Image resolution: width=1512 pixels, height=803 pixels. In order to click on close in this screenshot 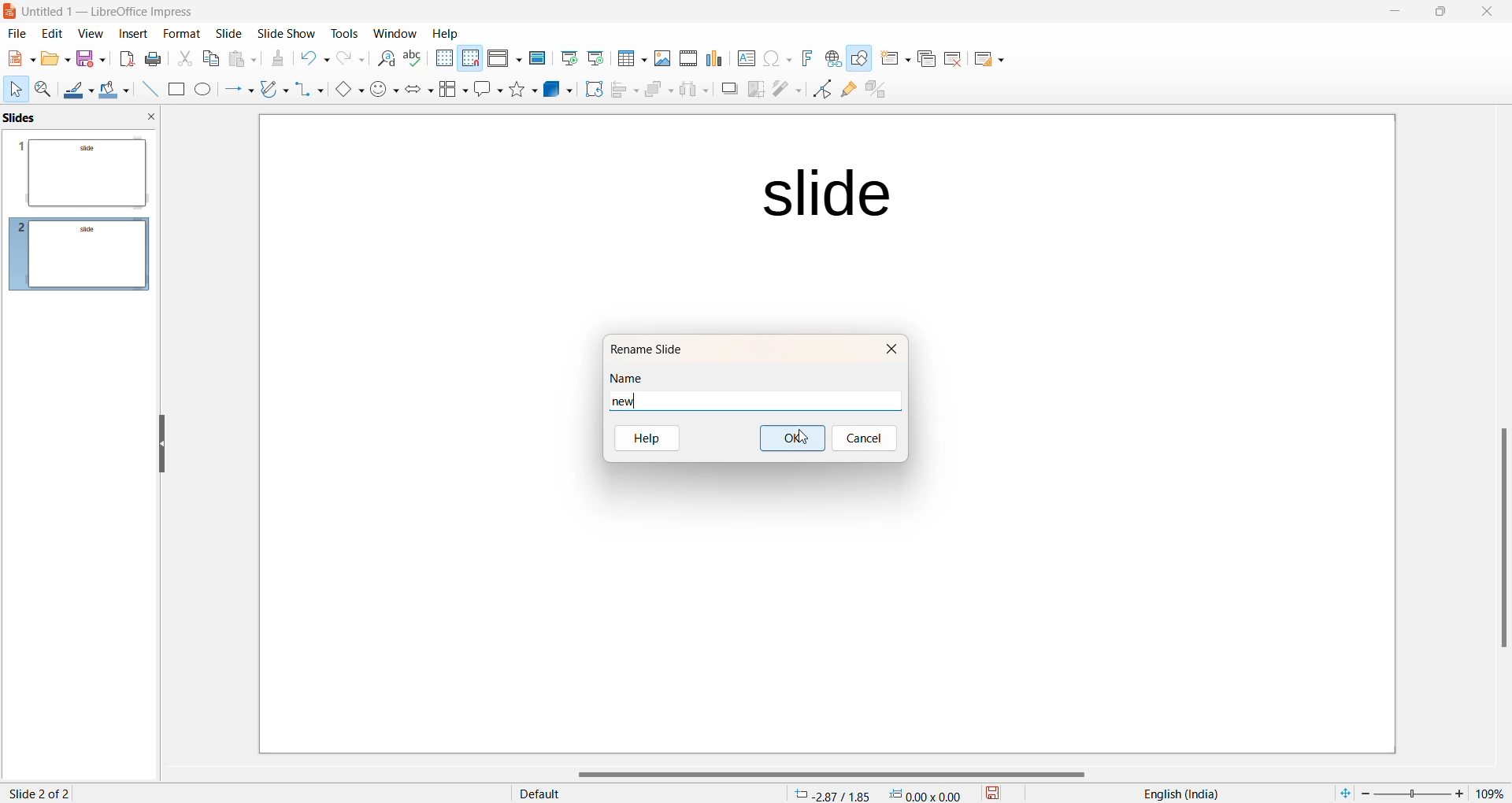, I will do `click(1487, 14)`.